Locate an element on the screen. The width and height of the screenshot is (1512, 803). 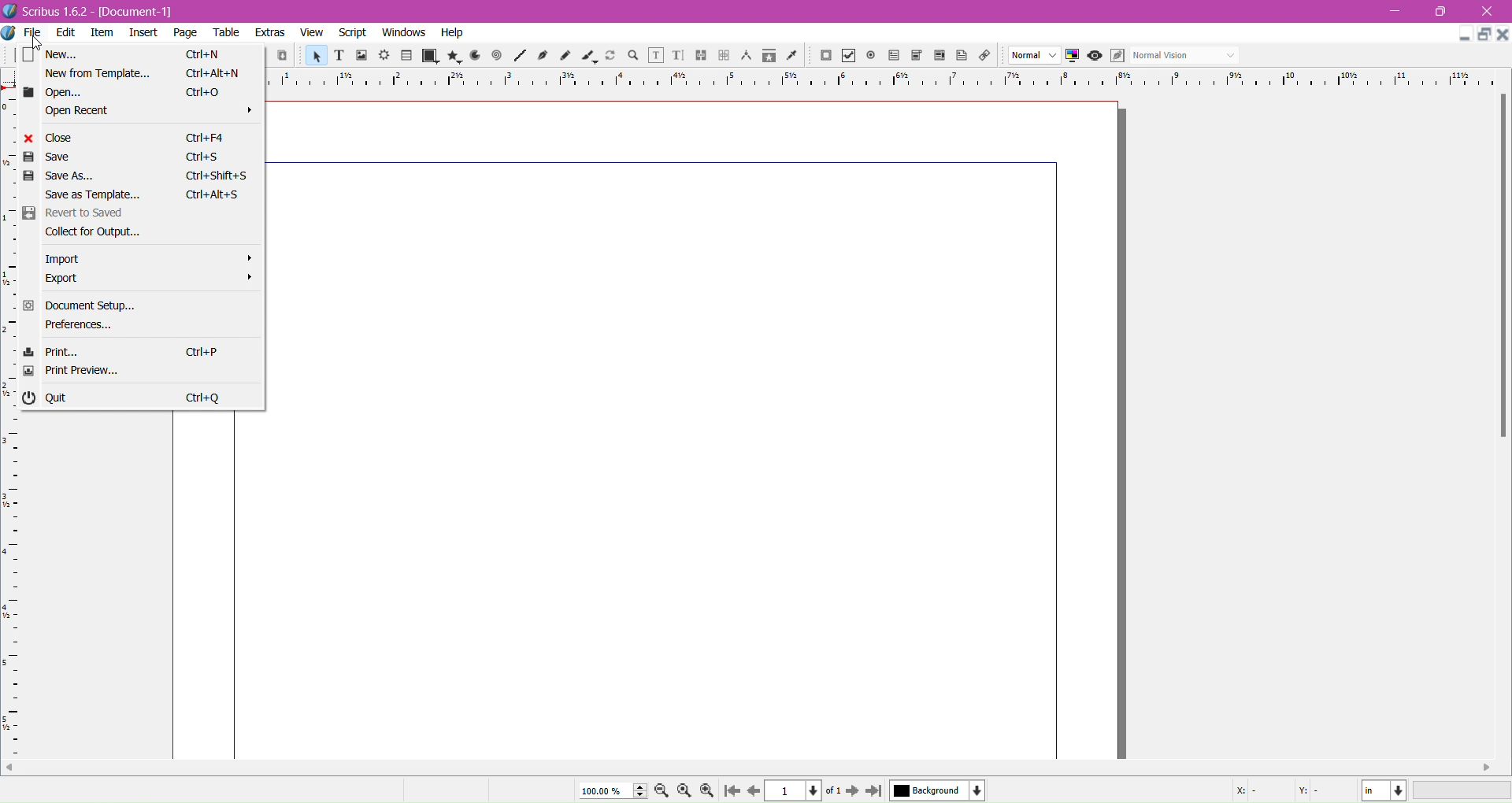
Select the image preview quality is located at coordinates (1032, 57).